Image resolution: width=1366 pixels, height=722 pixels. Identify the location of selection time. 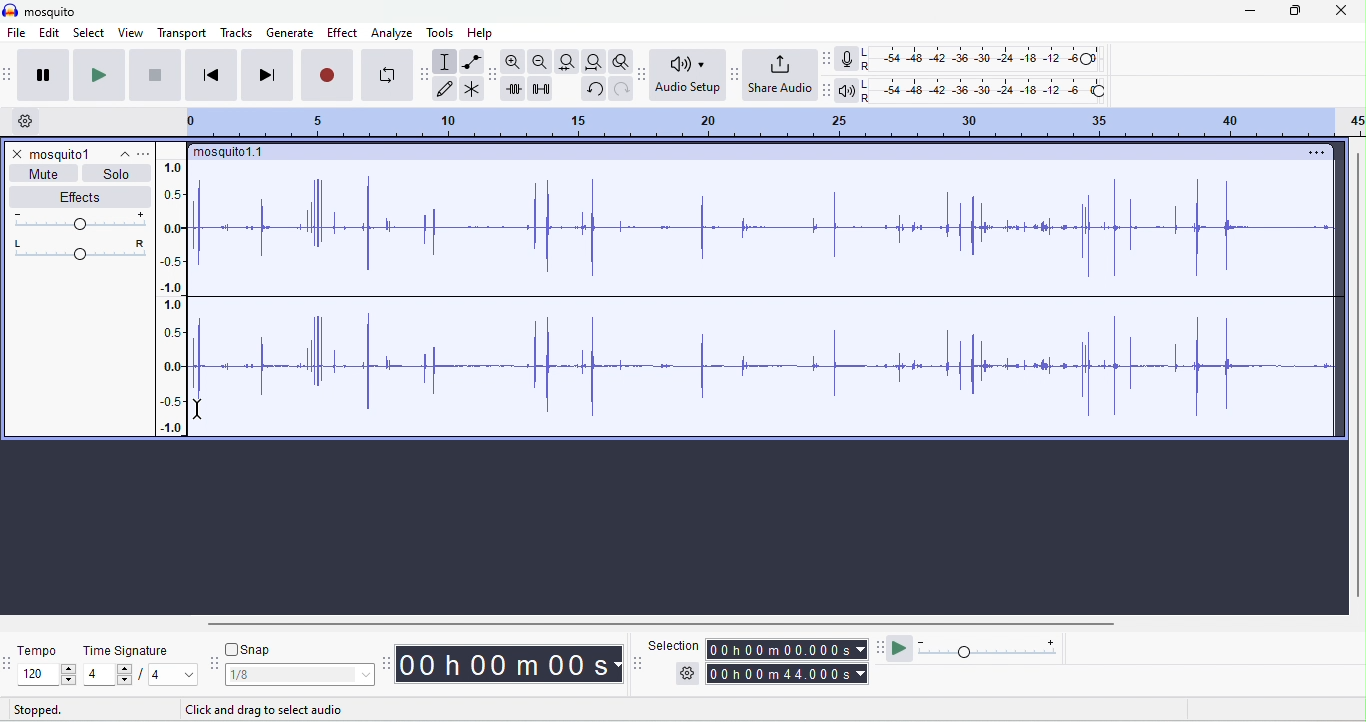
(788, 649).